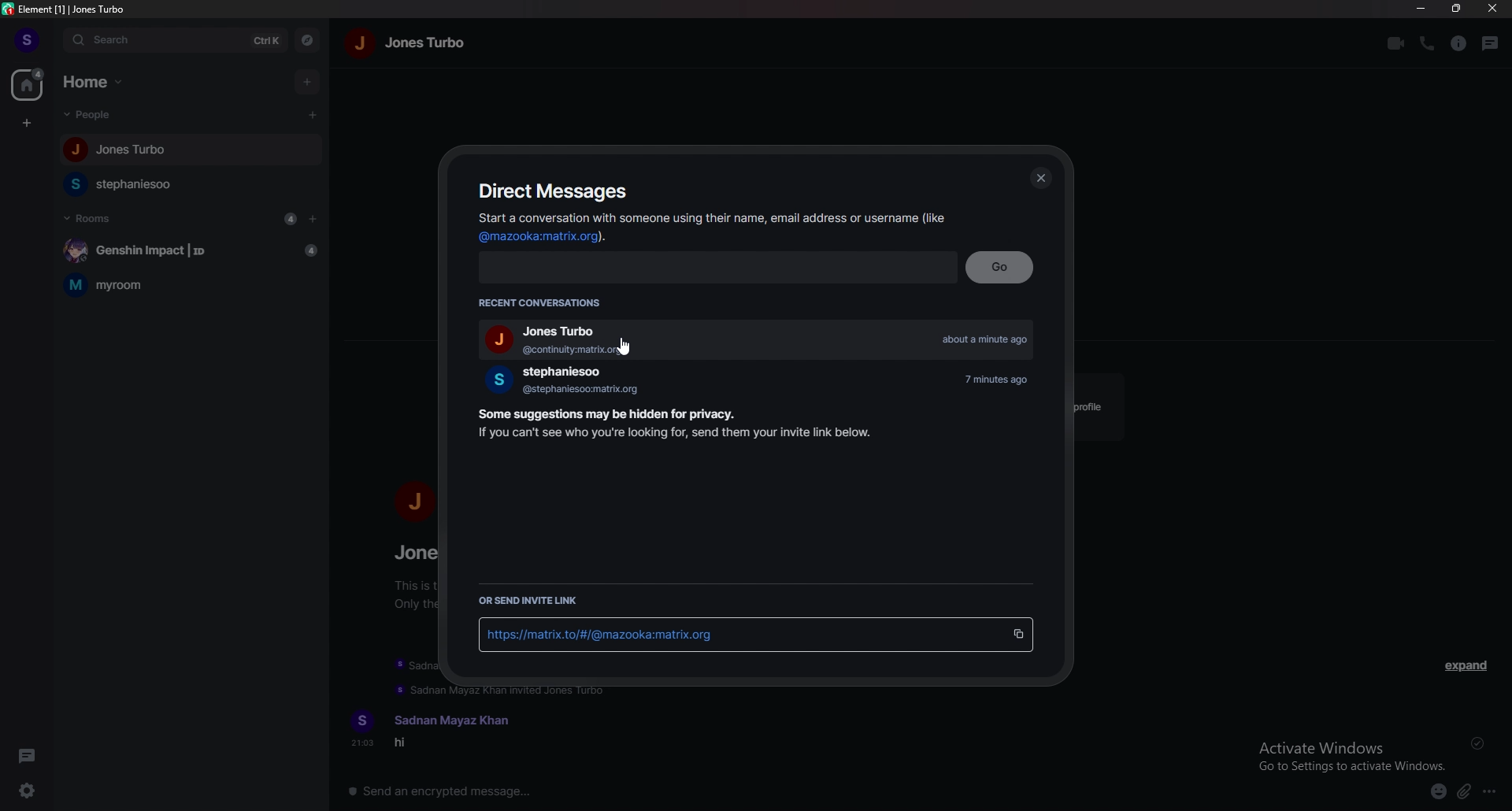  Describe the element at coordinates (1491, 44) in the screenshot. I see `threads` at that location.